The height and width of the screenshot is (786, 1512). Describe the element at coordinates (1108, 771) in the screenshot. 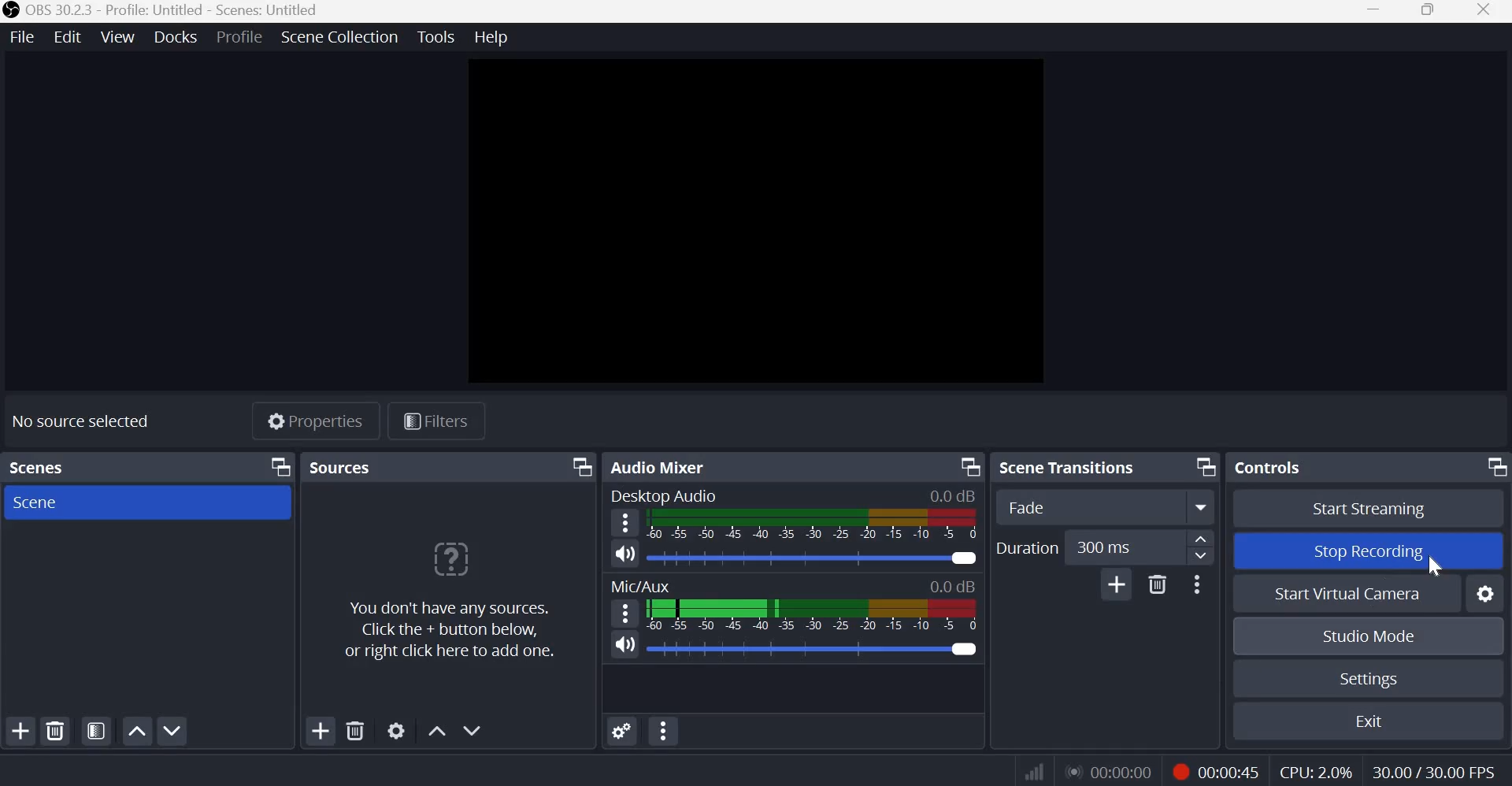

I see `00:00:00` at that location.